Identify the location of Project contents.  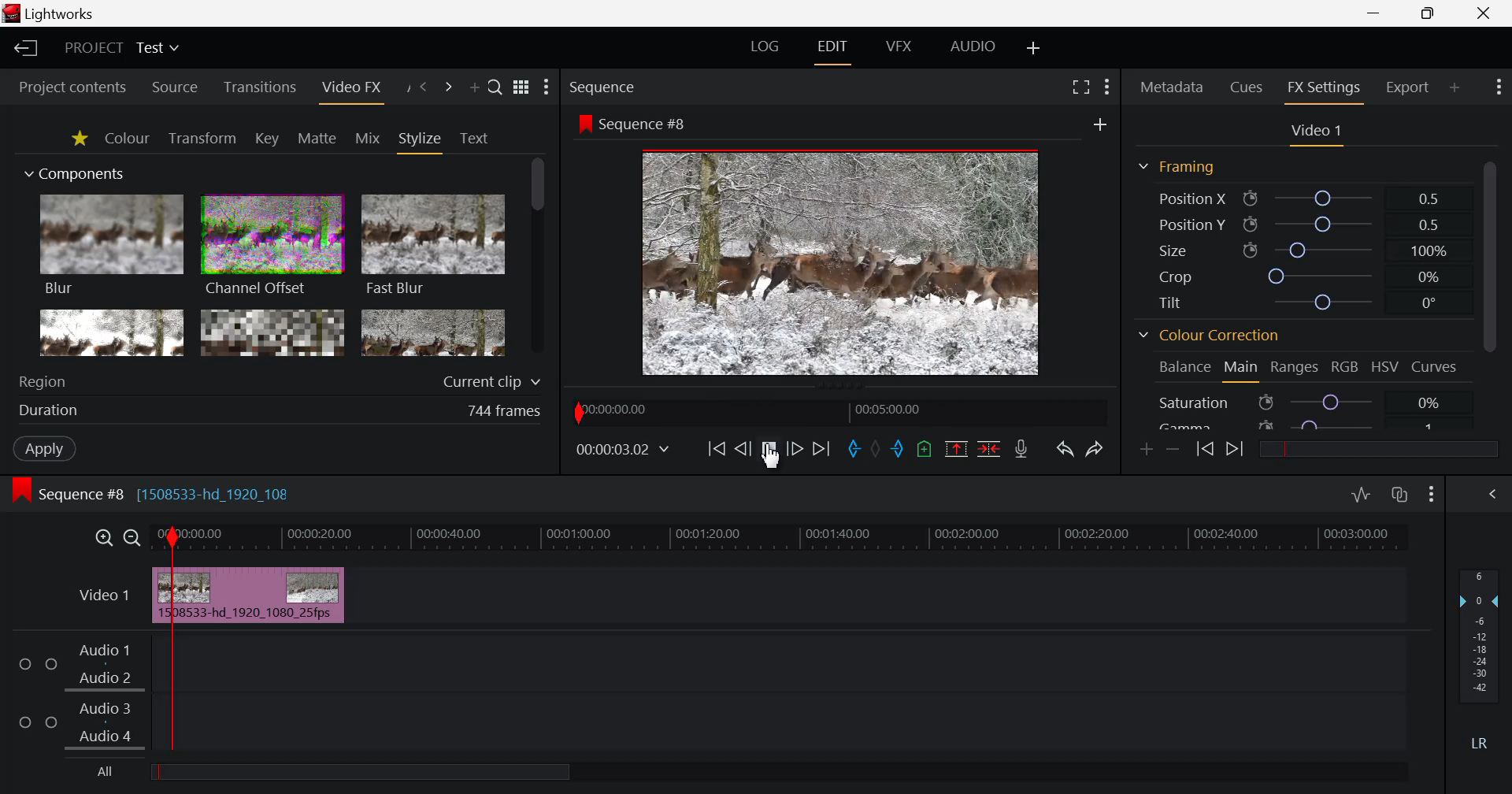
(72, 85).